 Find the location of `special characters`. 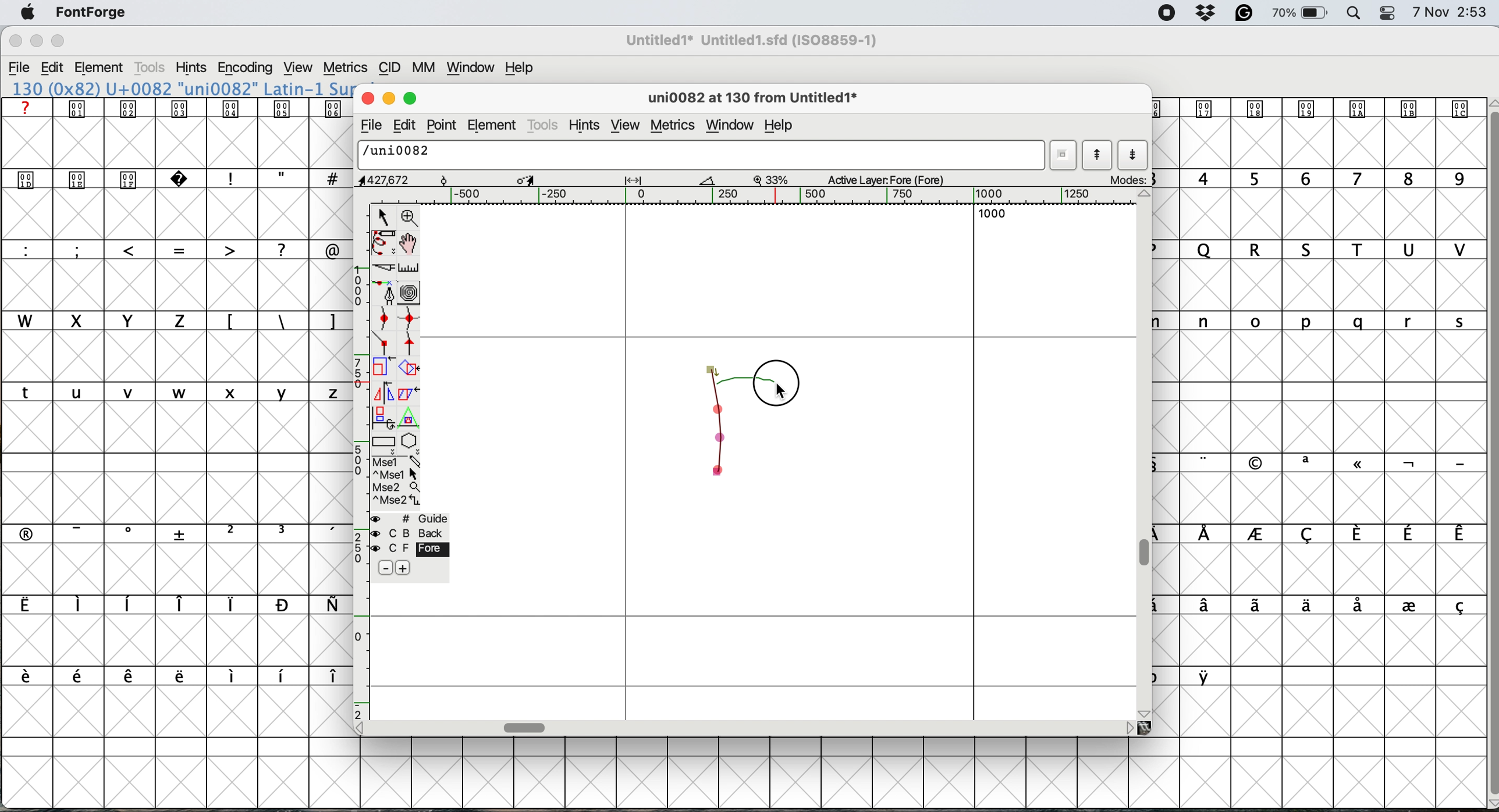

special characters is located at coordinates (1191, 676).